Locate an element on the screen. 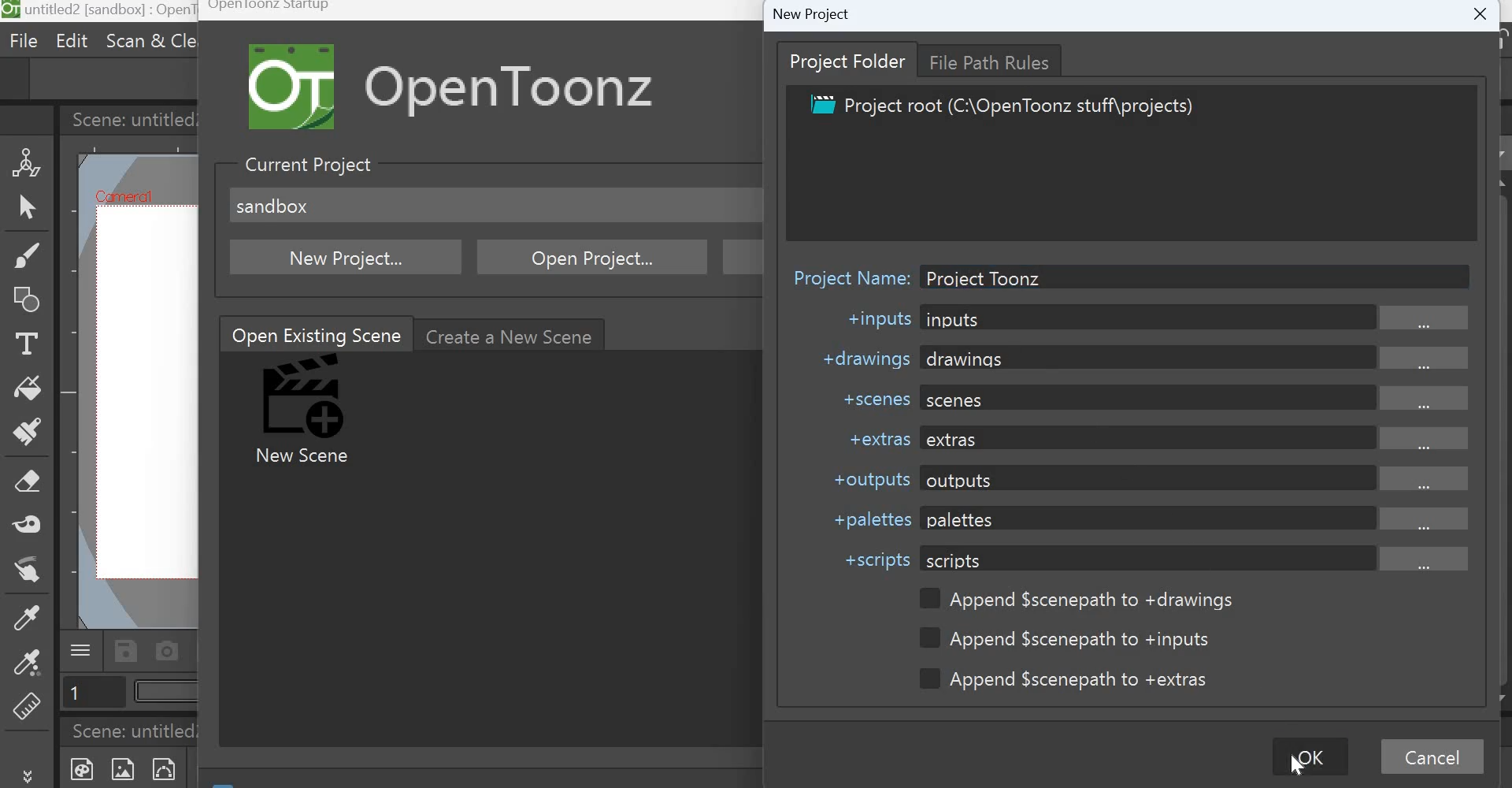 This screenshot has height=788, width=1512. Eraser tool is located at coordinates (29, 481).